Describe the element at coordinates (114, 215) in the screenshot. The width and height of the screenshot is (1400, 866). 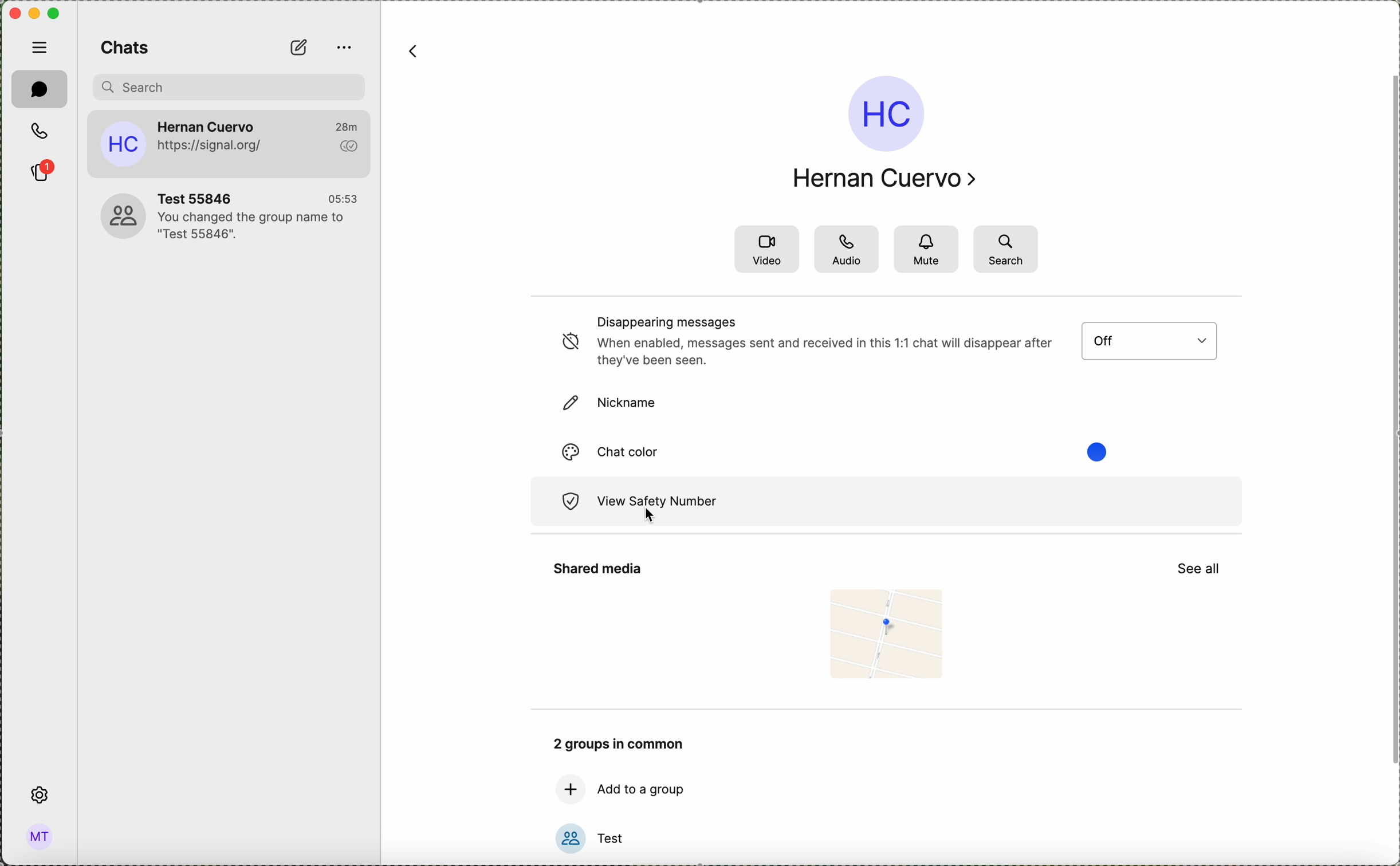
I see `profile ` at that location.